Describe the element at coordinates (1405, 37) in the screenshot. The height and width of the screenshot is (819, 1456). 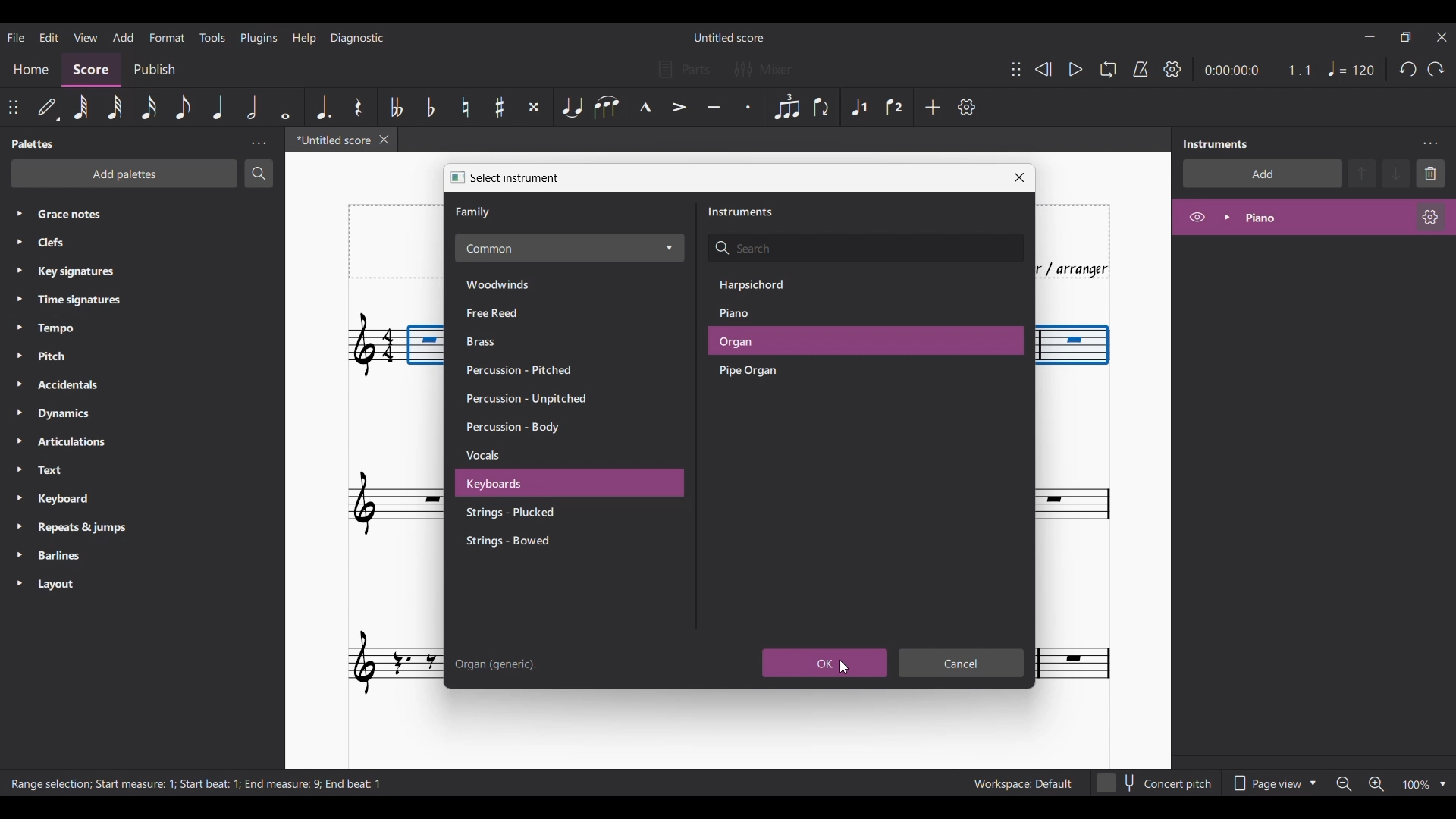
I see `Show in a smaller interface` at that location.